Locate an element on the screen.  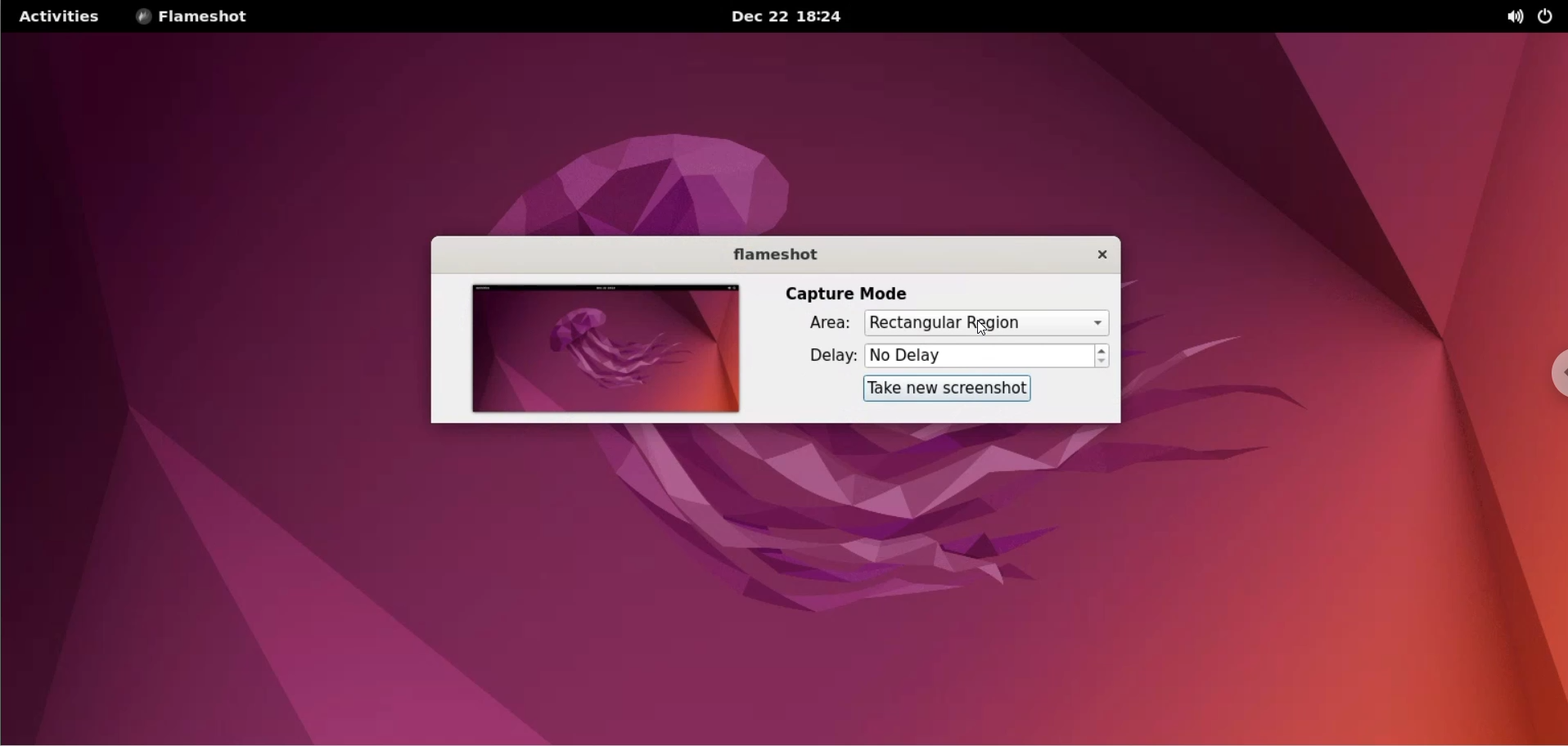
area: is located at coordinates (820, 323).